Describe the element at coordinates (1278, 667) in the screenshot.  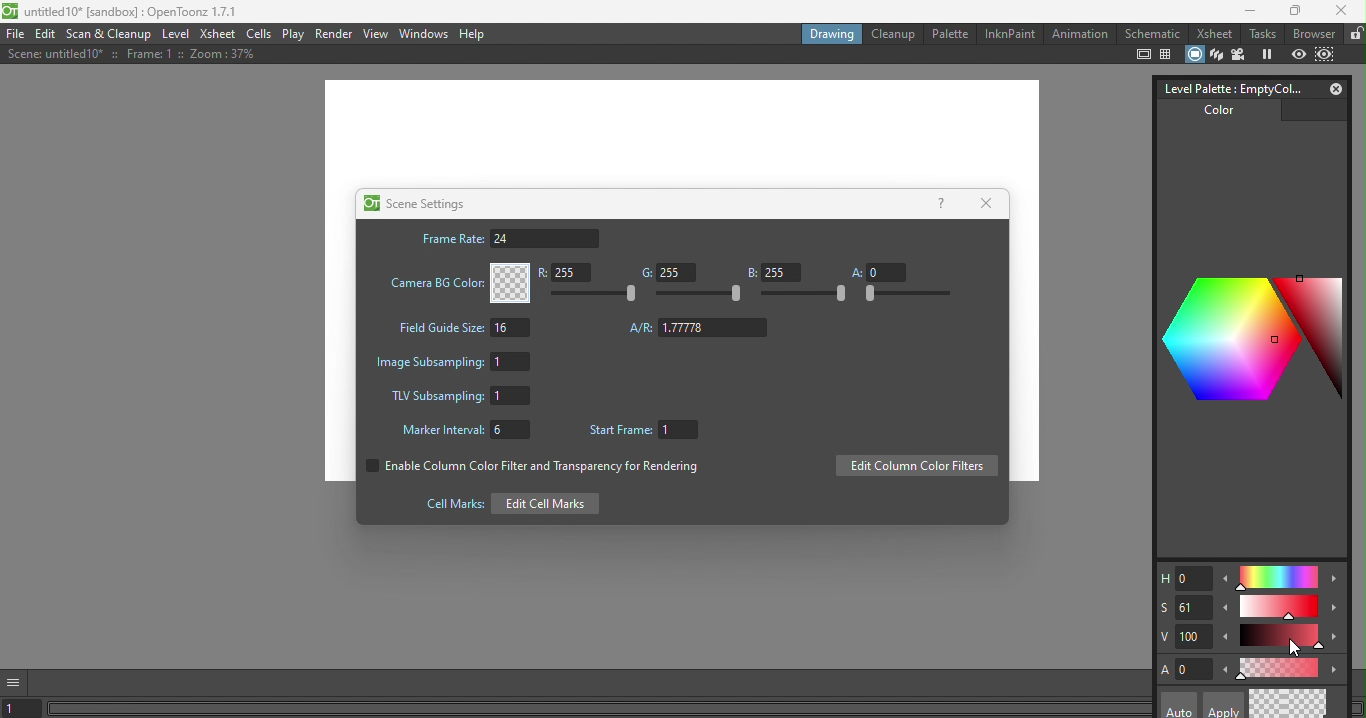
I see `Slide bar` at that location.